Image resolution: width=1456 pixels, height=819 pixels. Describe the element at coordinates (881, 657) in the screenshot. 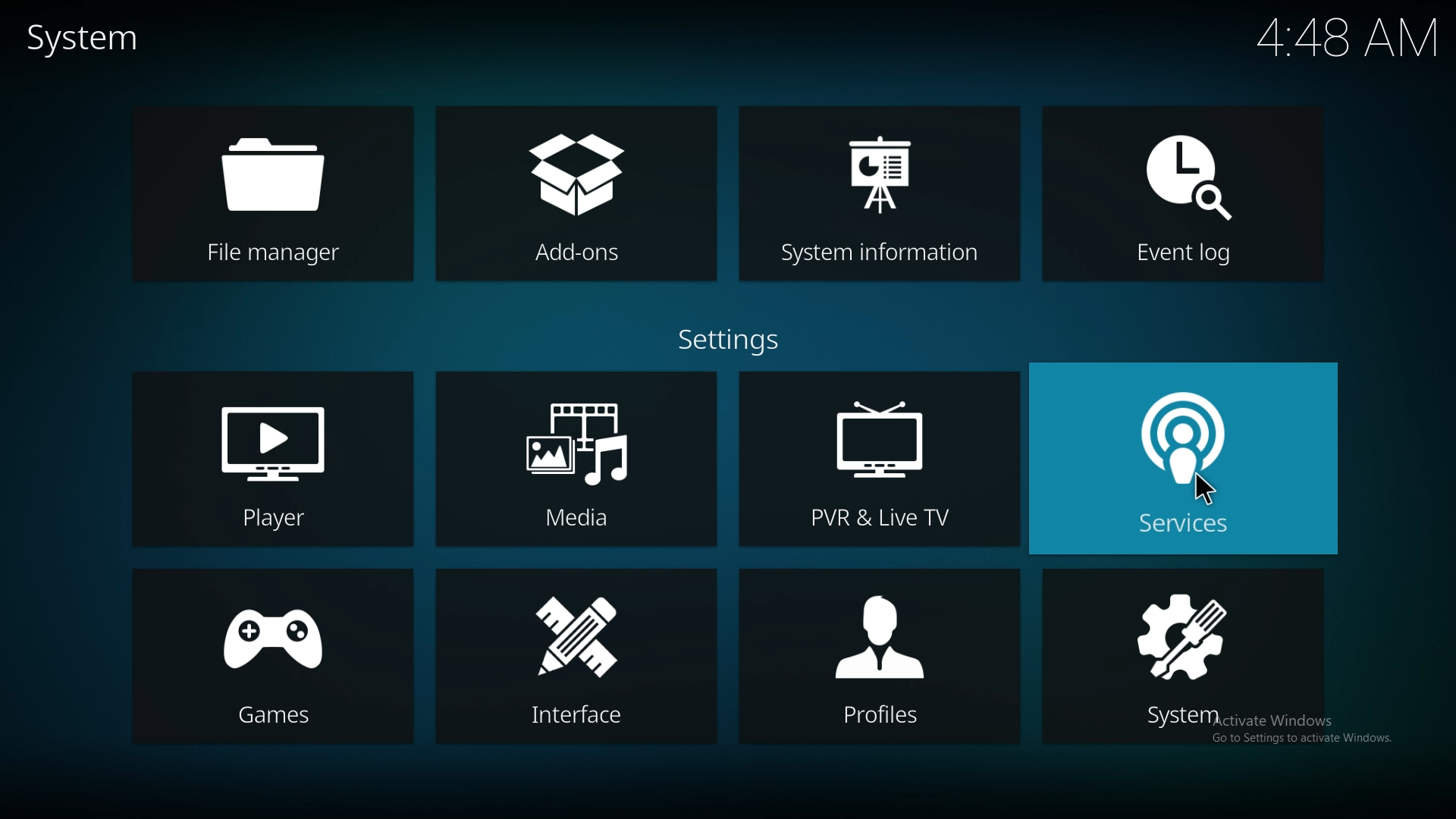

I see `profiles` at that location.